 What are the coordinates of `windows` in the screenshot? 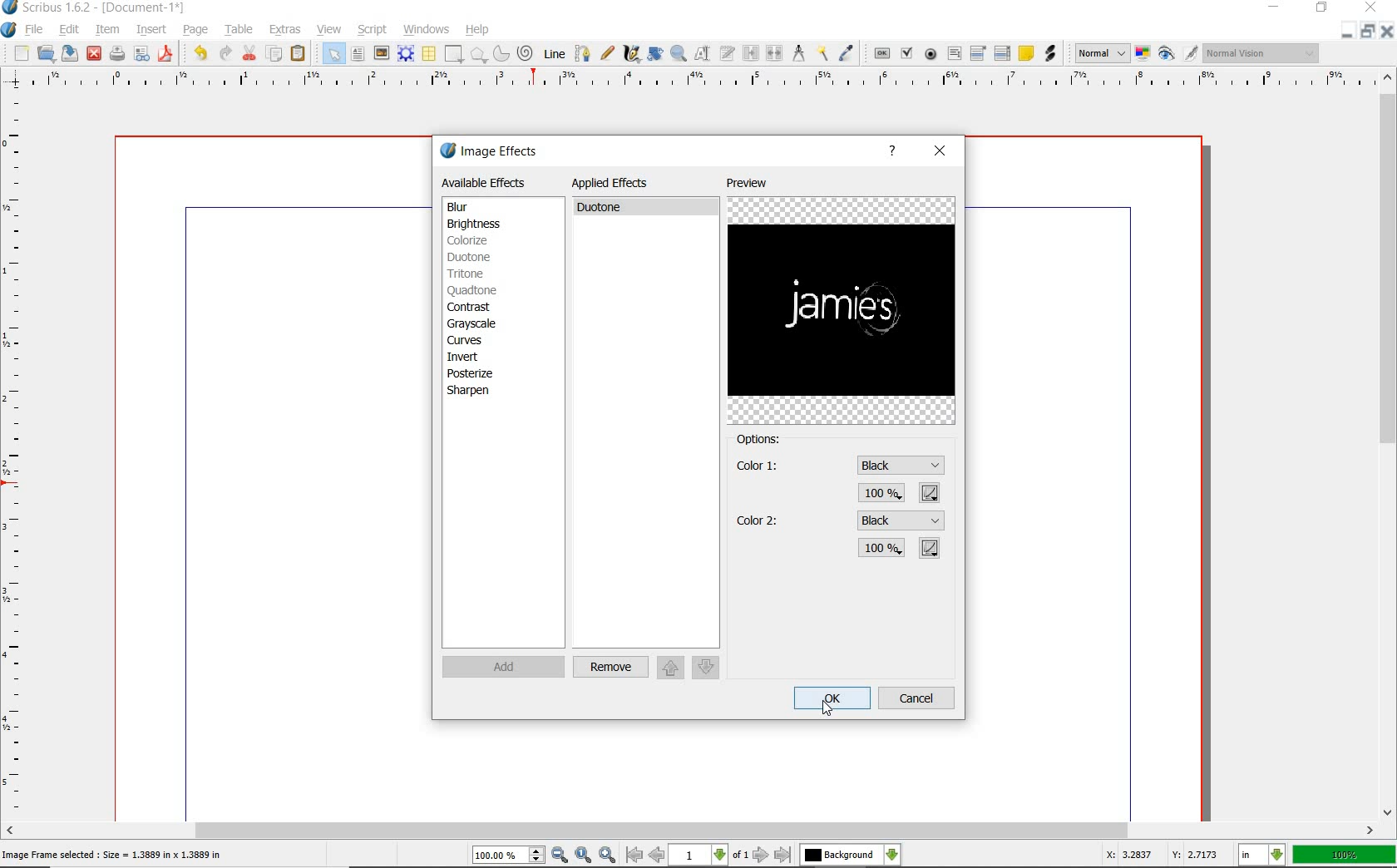 It's located at (427, 29).